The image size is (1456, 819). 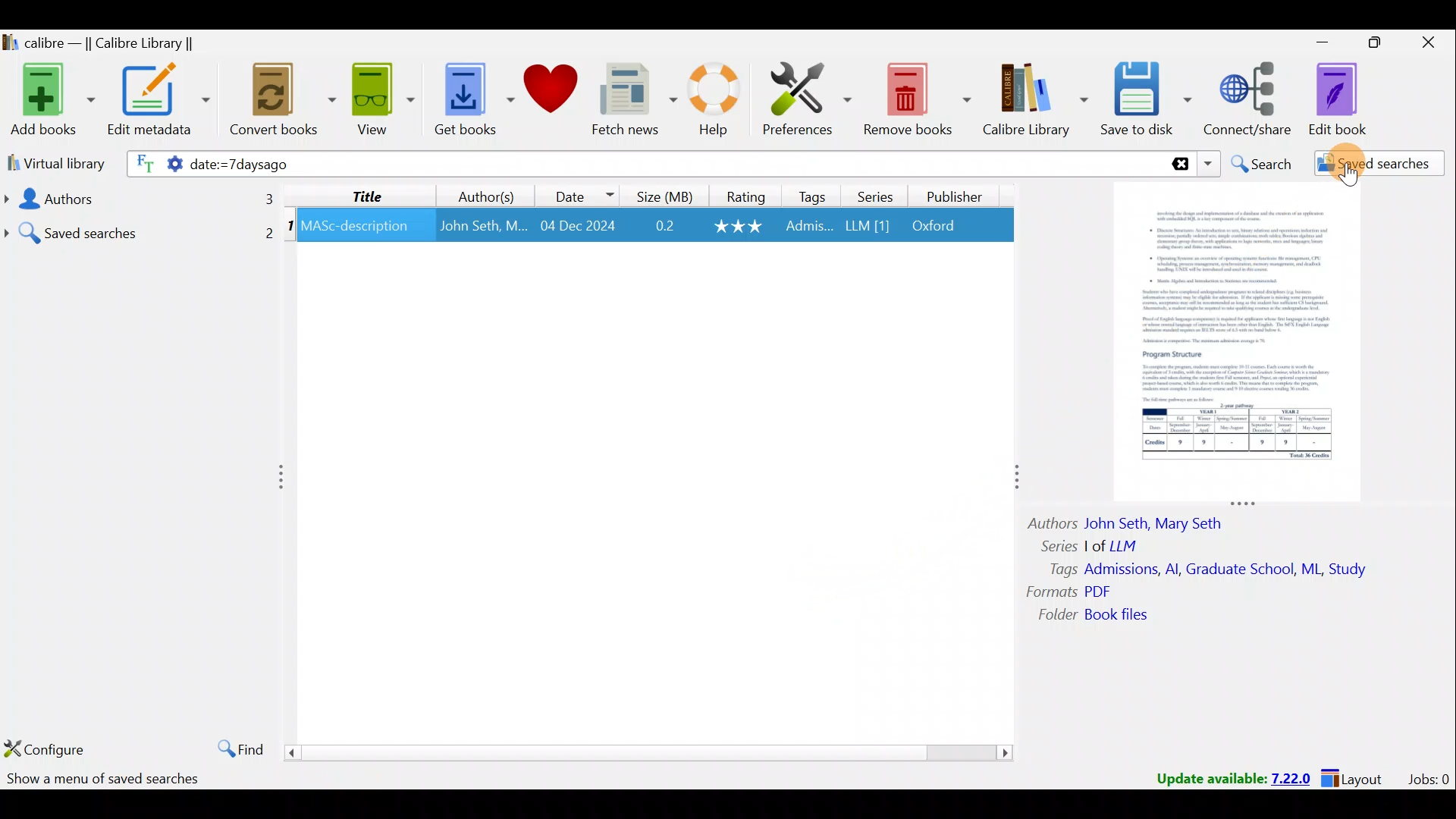 I want to click on Book preview, so click(x=1244, y=342).